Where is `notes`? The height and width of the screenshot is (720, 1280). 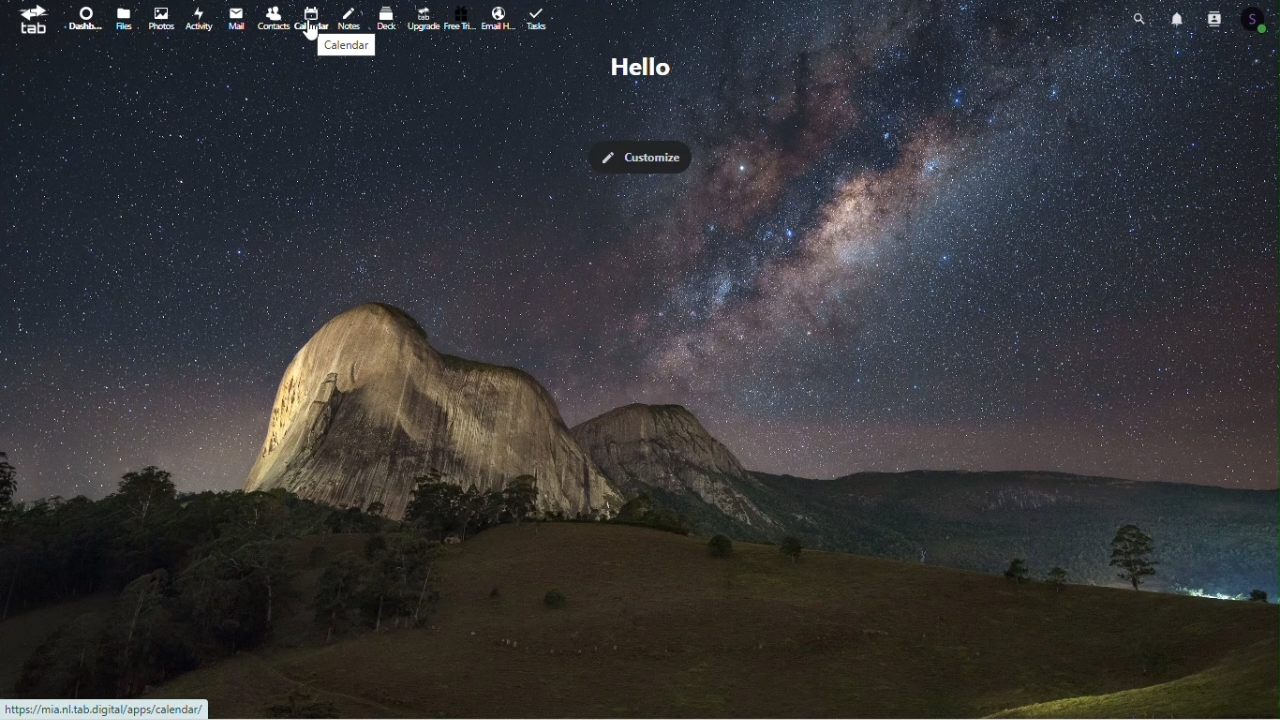
notes is located at coordinates (349, 19).